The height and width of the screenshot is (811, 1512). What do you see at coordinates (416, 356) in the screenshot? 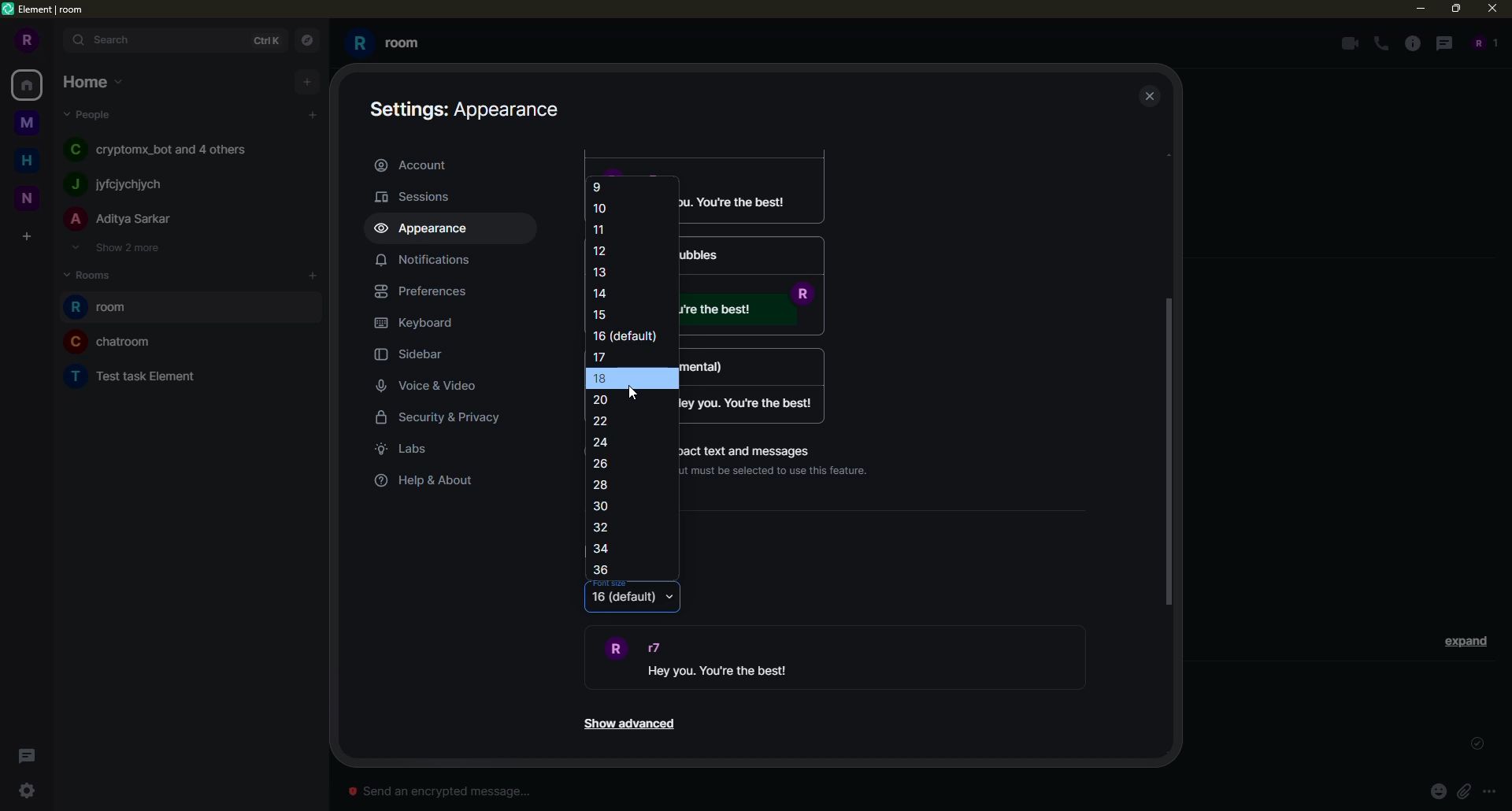
I see `sidebar` at bounding box center [416, 356].